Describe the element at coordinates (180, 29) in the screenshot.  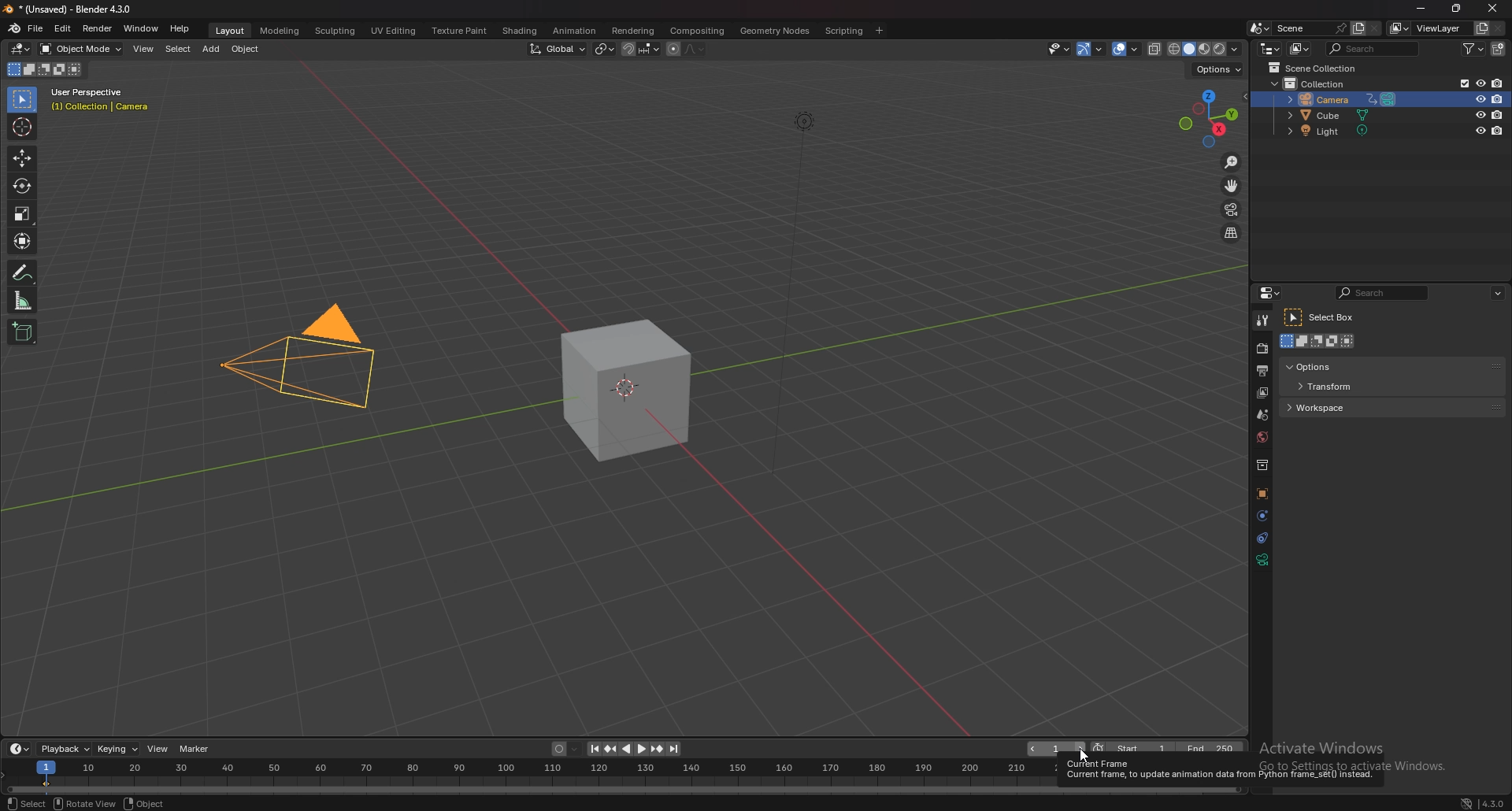
I see `help` at that location.